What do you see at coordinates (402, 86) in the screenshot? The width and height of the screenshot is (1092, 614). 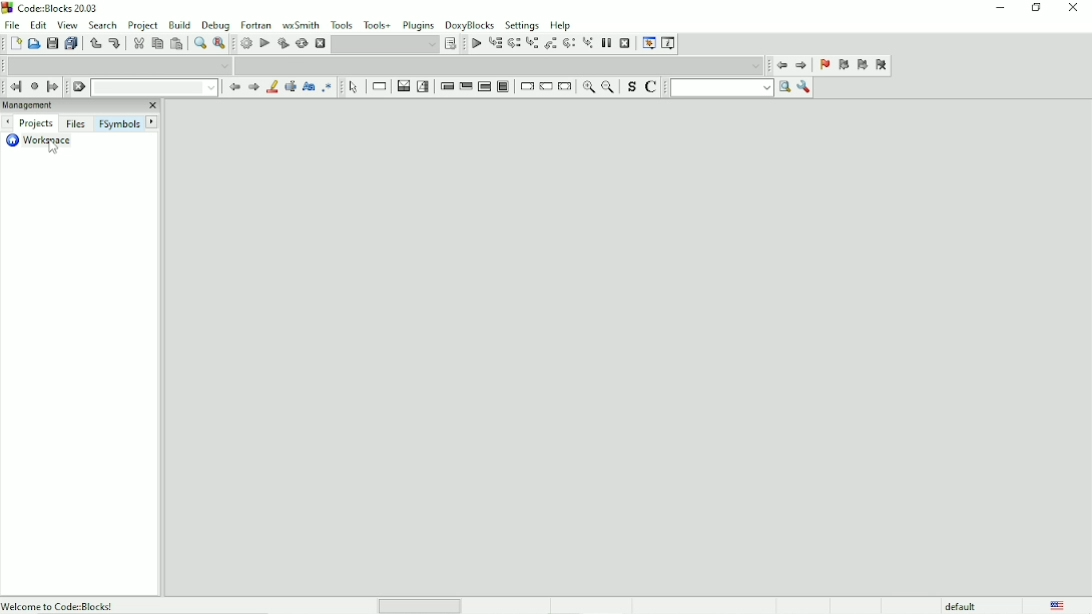 I see `Decision` at bounding box center [402, 86].